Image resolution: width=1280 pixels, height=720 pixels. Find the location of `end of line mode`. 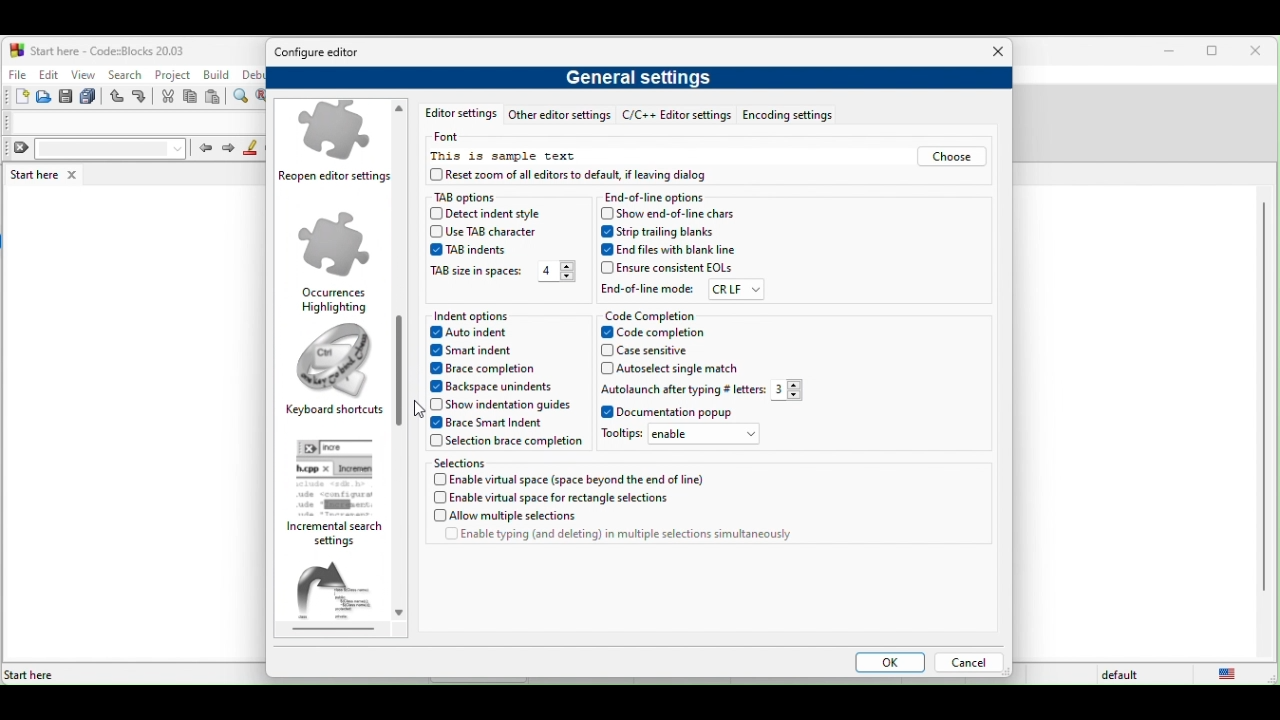

end of line mode is located at coordinates (648, 288).